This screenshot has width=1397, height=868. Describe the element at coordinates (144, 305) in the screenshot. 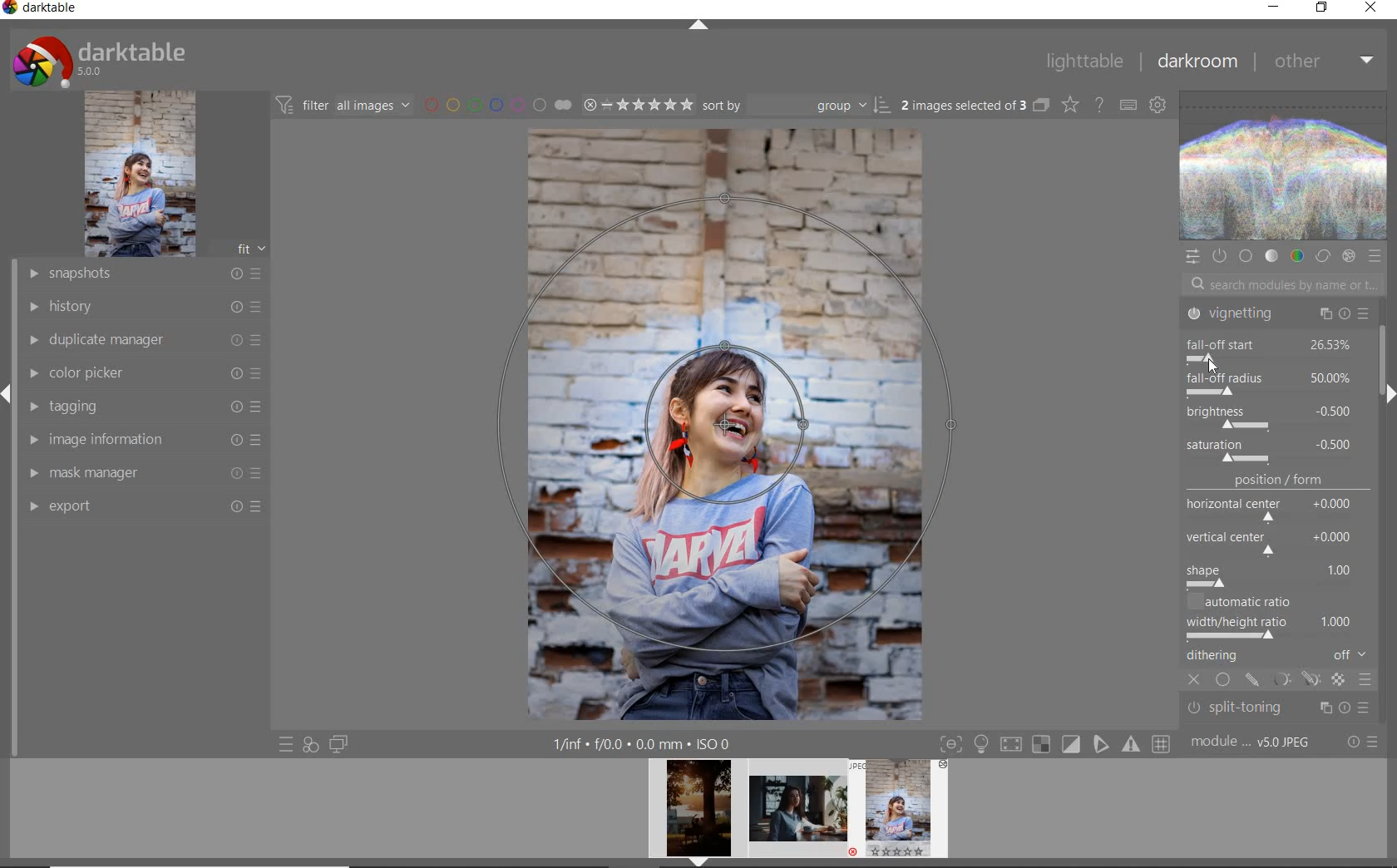

I see `history` at that location.